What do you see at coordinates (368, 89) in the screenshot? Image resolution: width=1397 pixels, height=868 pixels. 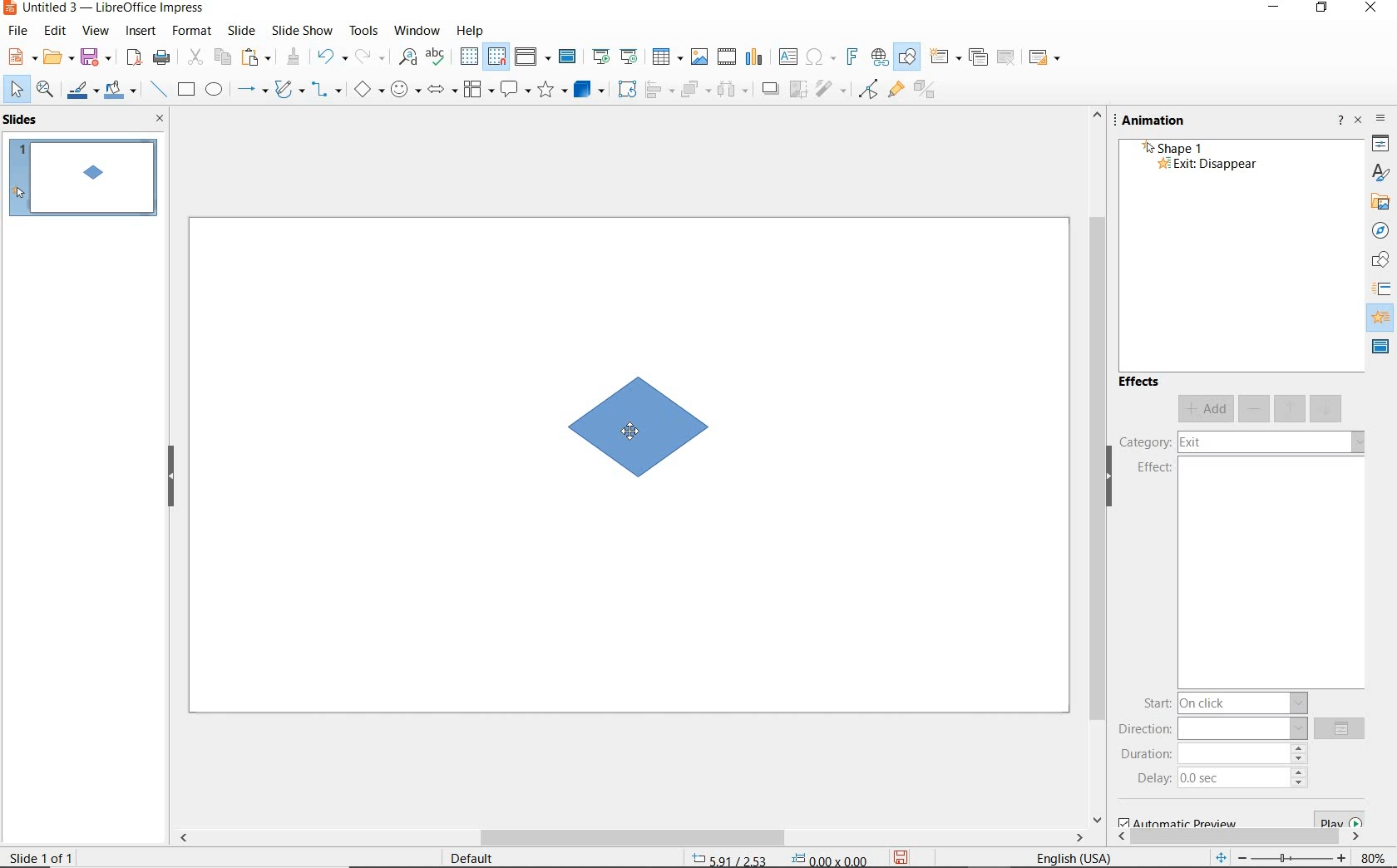 I see `basic shapes` at bounding box center [368, 89].